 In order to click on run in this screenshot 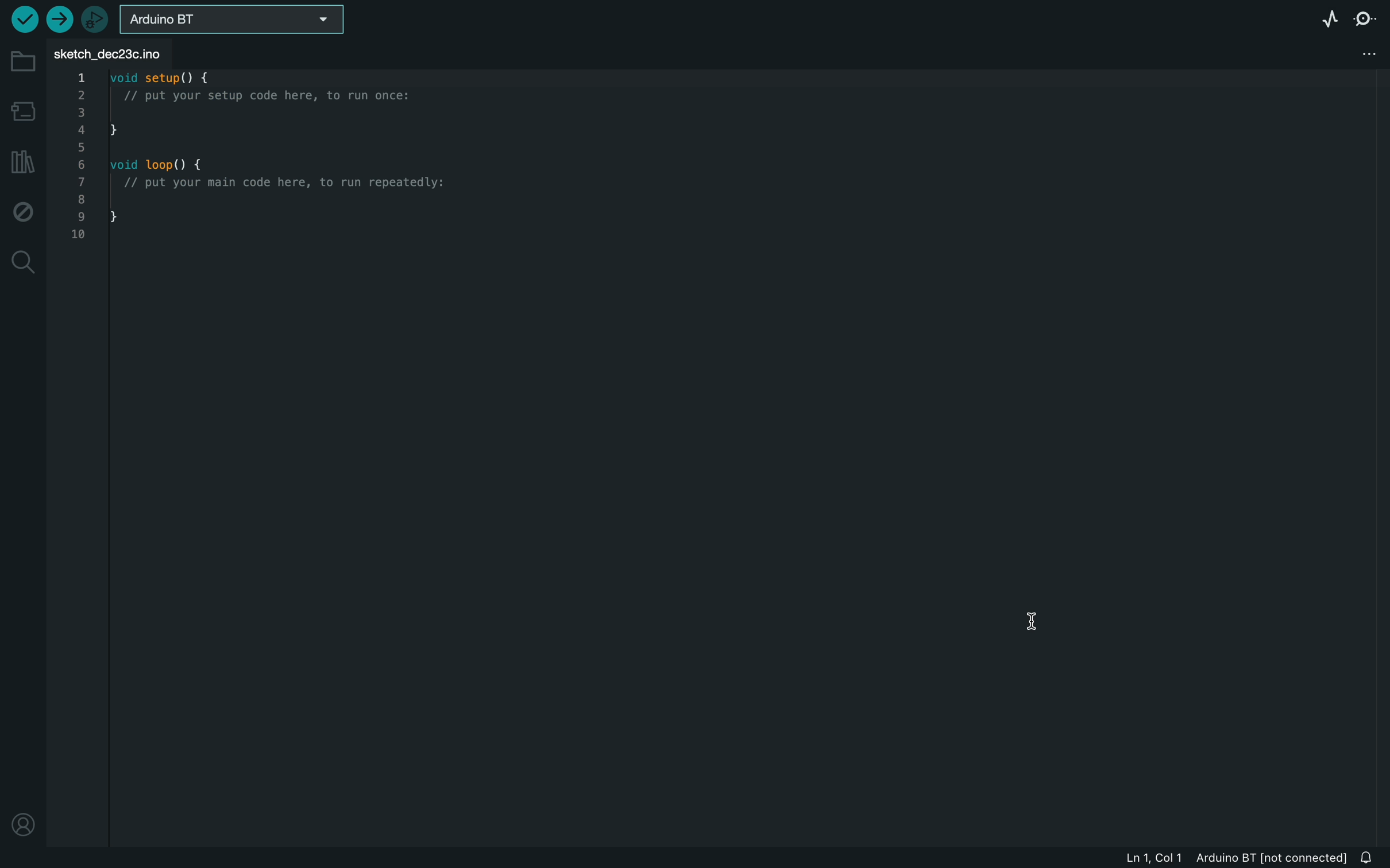, I will do `click(25, 20)`.